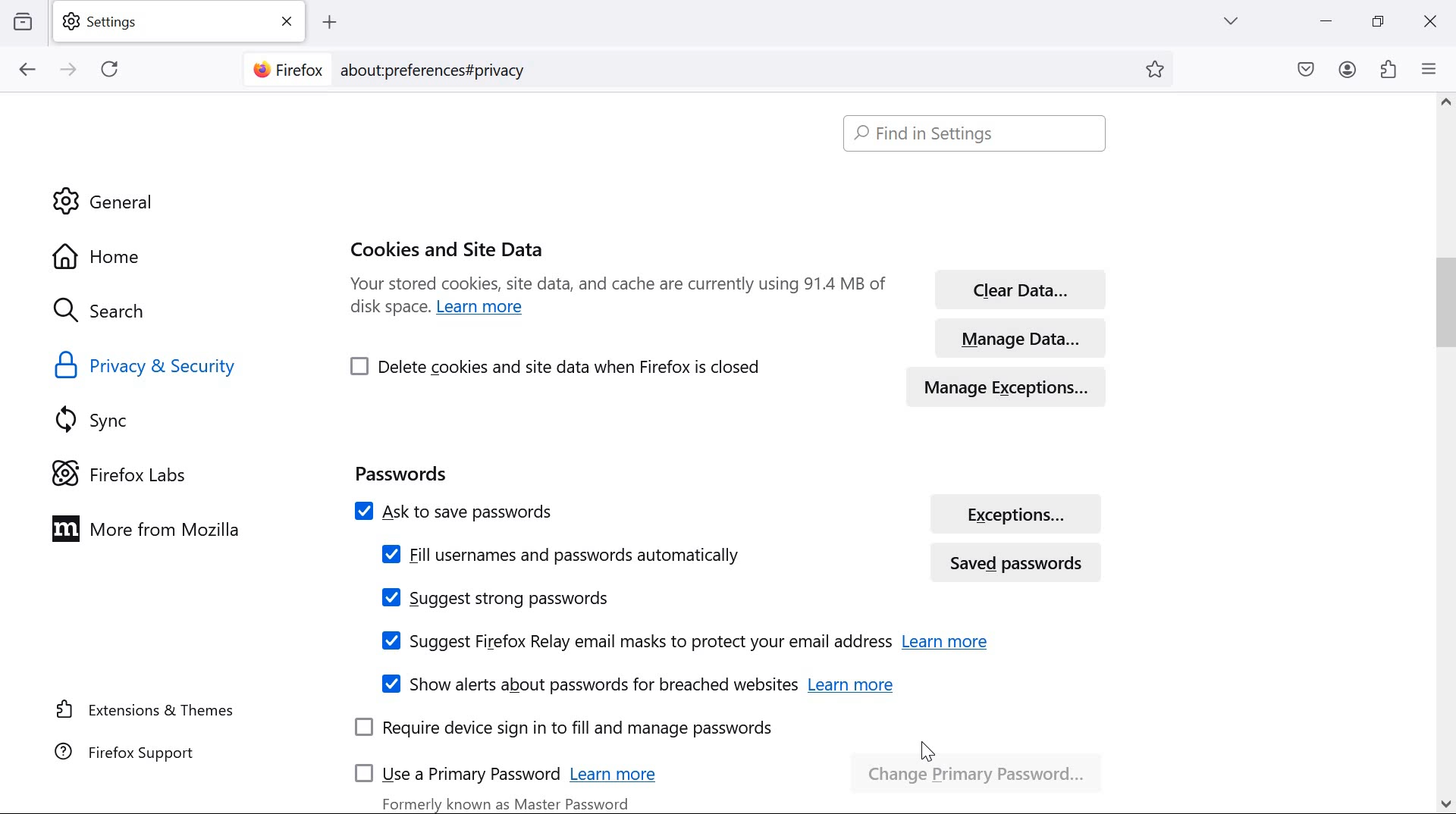 This screenshot has width=1456, height=814. What do you see at coordinates (146, 709) in the screenshot?
I see `extensions & themes` at bounding box center [146, 709].